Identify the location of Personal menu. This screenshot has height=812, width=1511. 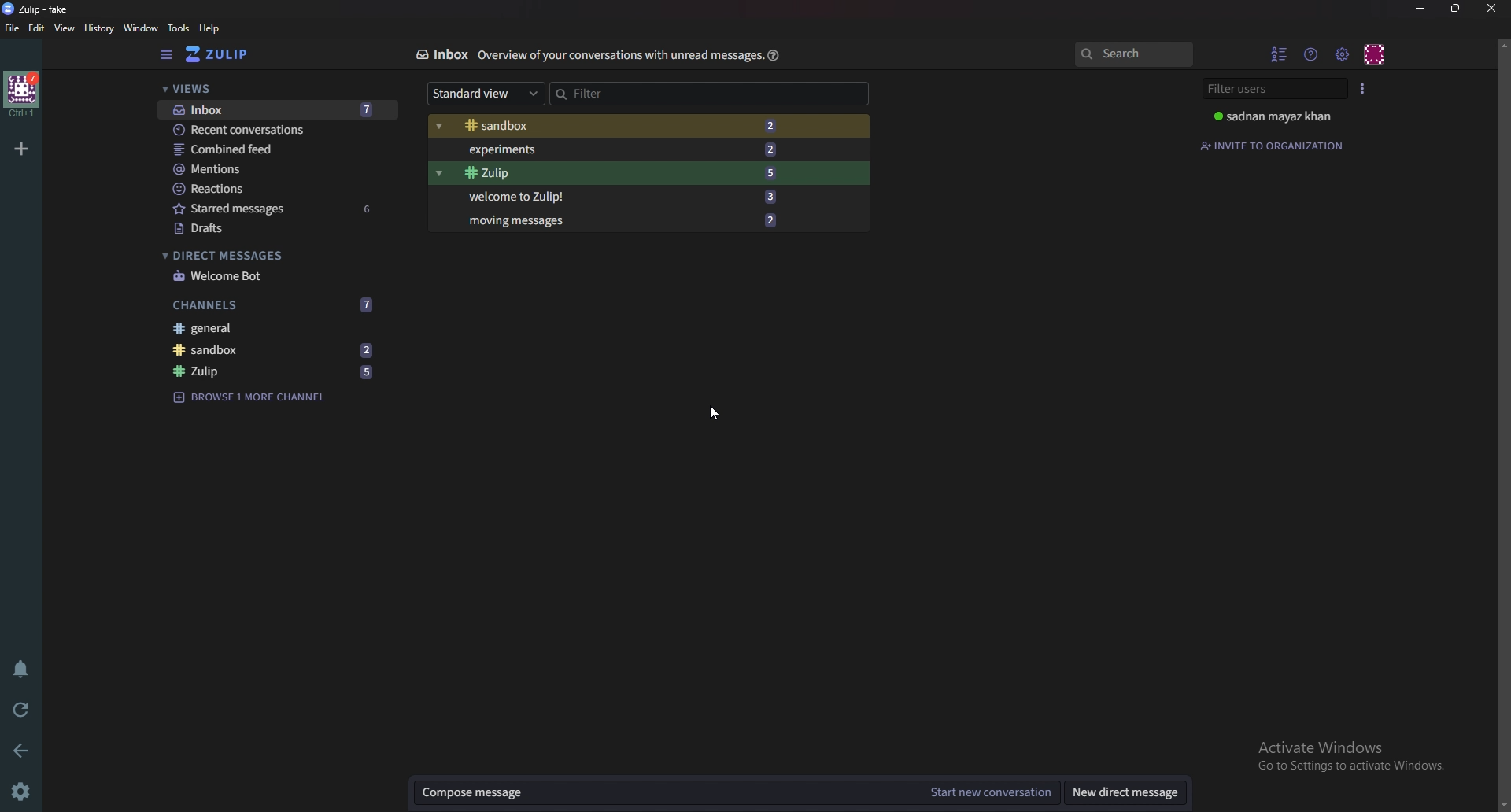
(1376, 53).